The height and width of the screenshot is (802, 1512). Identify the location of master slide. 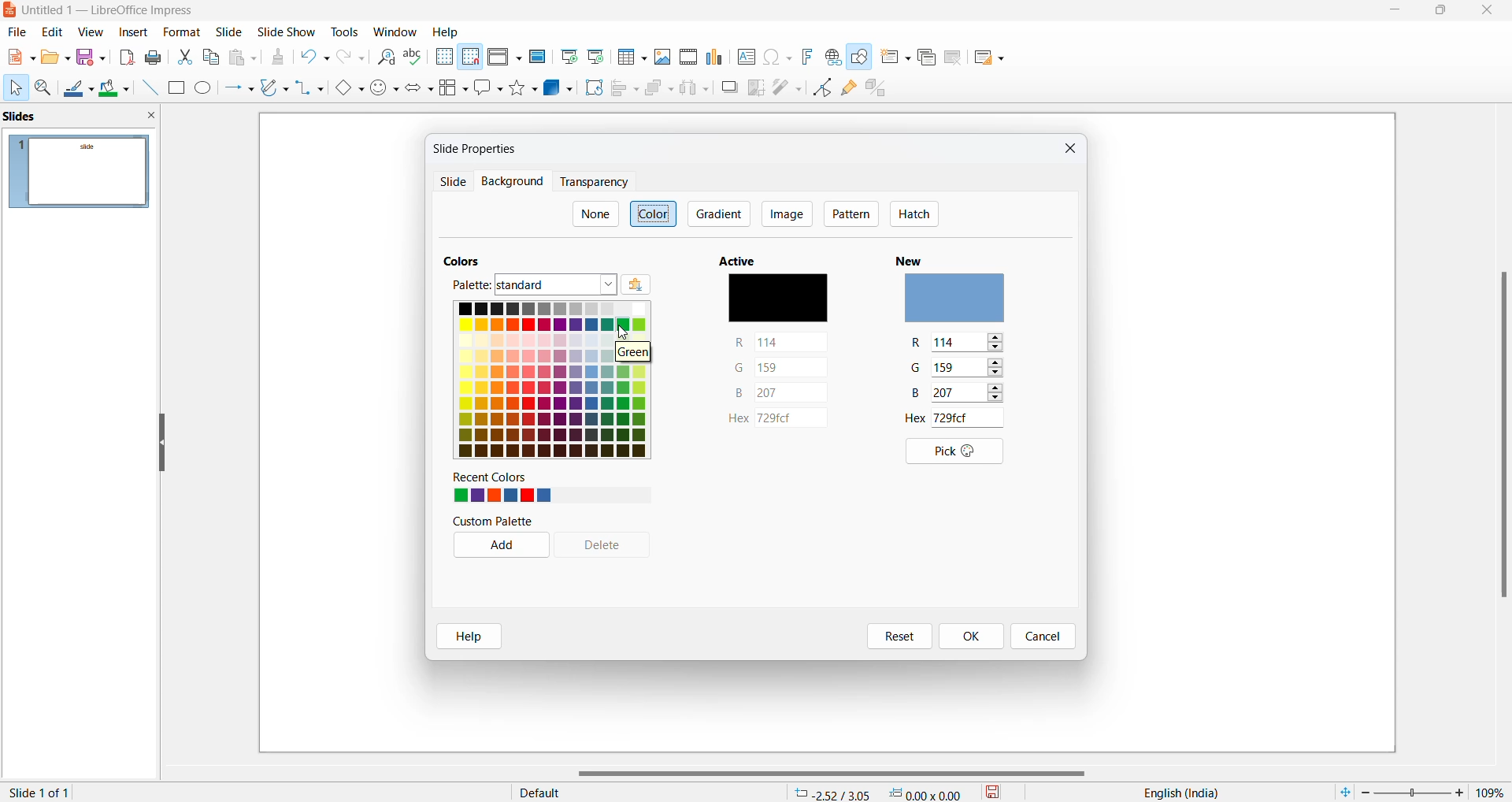
(537, 56).